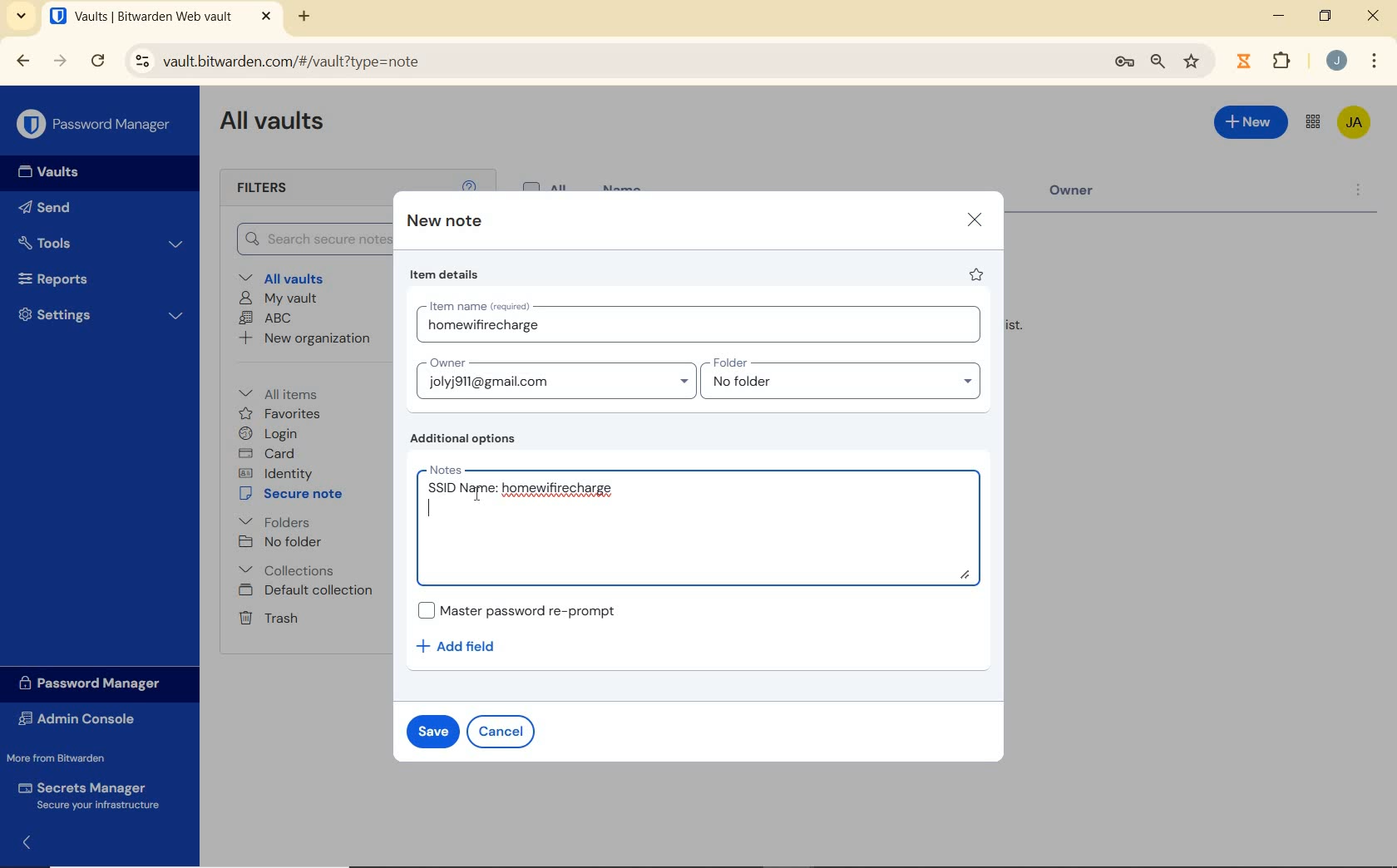 The width and height of the screenshot is (1397, 868). I want to click on New organization, so click(306, 338).